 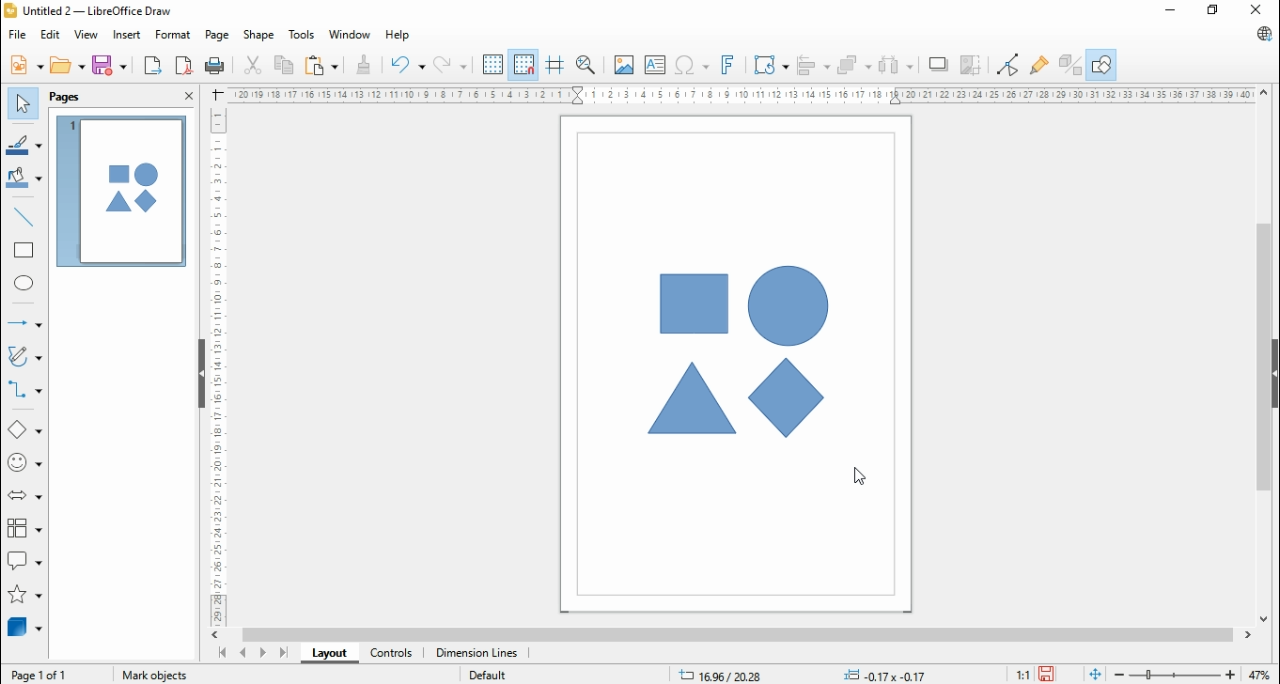 What do you see at coordinates (587, 64) in the screenshot?
I see `pan and zoom` at bounding box center [587, 64].